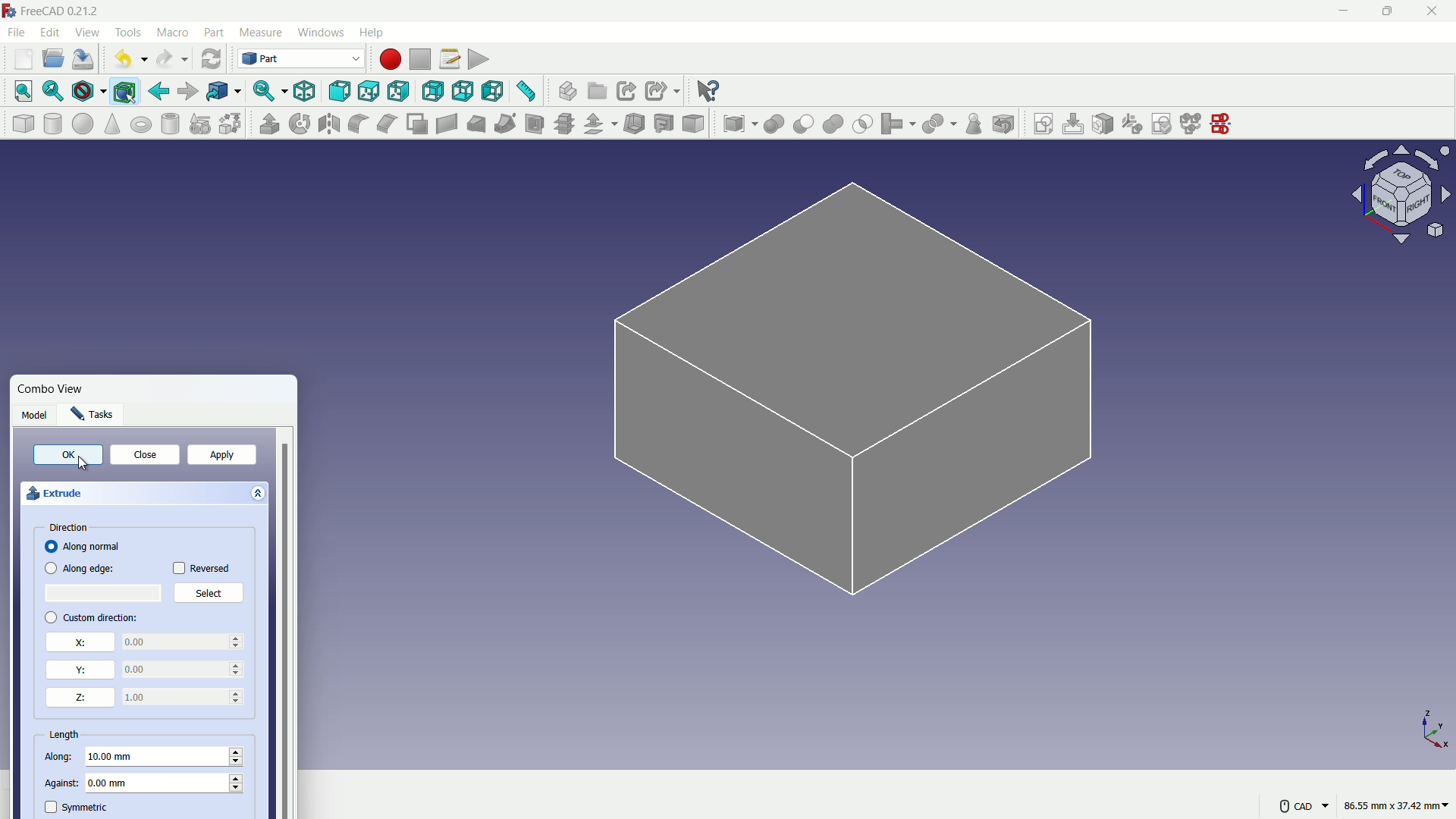 The height and width of the screenshot is (819, 1456). What do you see at coordinates (143, 494) in the screenshot?
I see `extrude ` at bounding box center [143, 494].